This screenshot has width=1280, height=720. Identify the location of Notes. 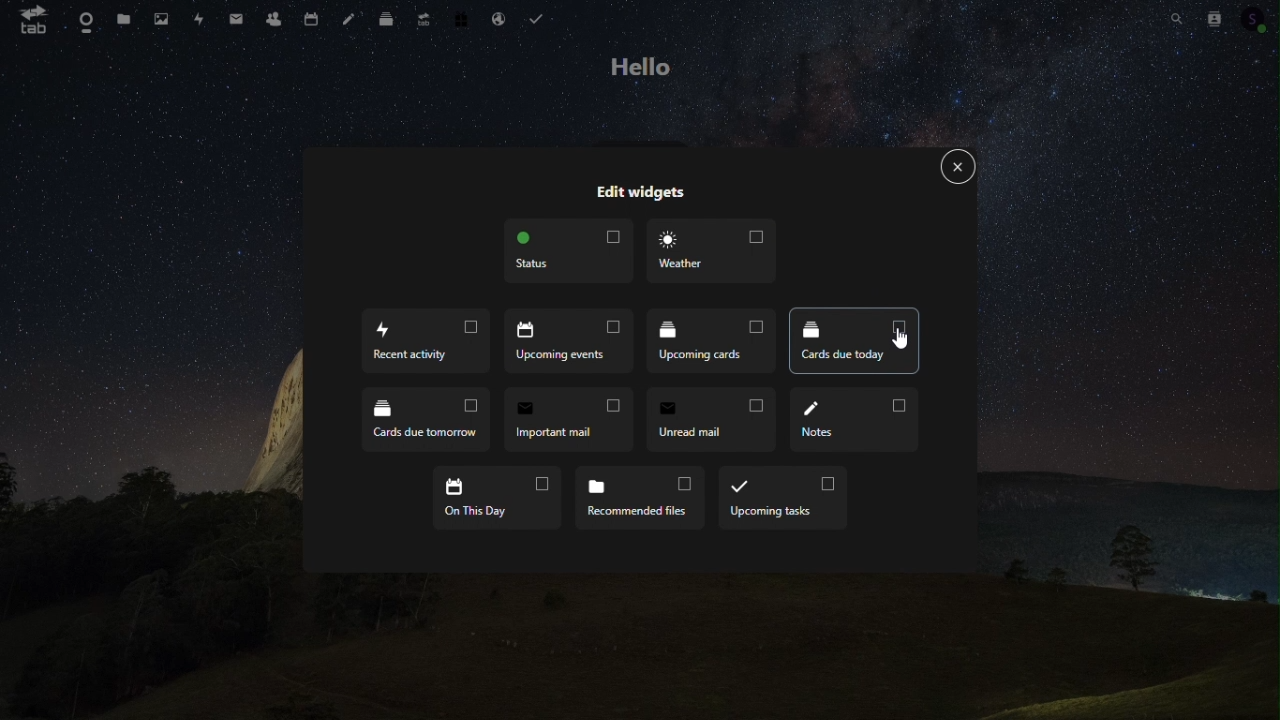
(852, 424).